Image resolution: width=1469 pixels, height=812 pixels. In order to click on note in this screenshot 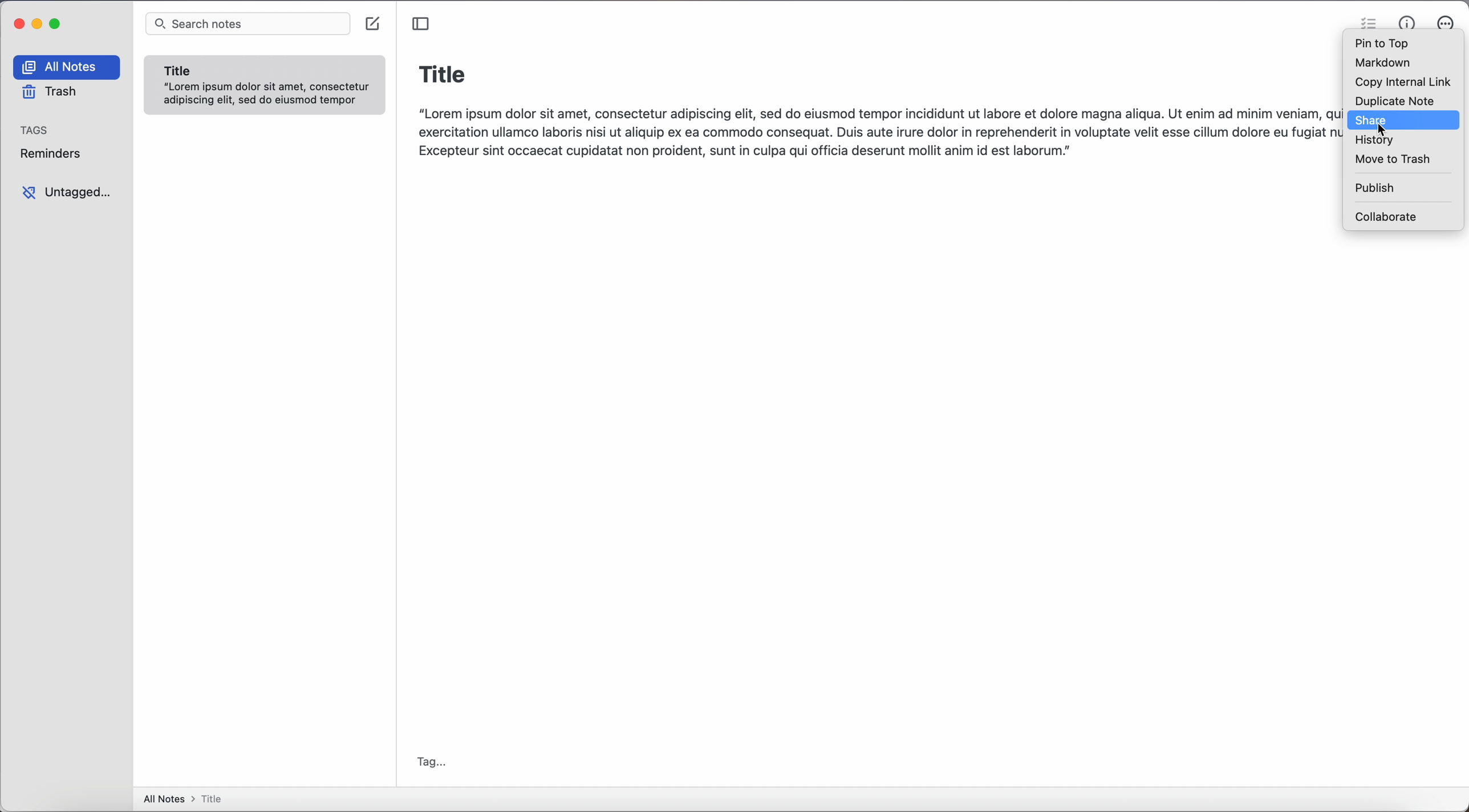, I will do `click(265, 86)`.